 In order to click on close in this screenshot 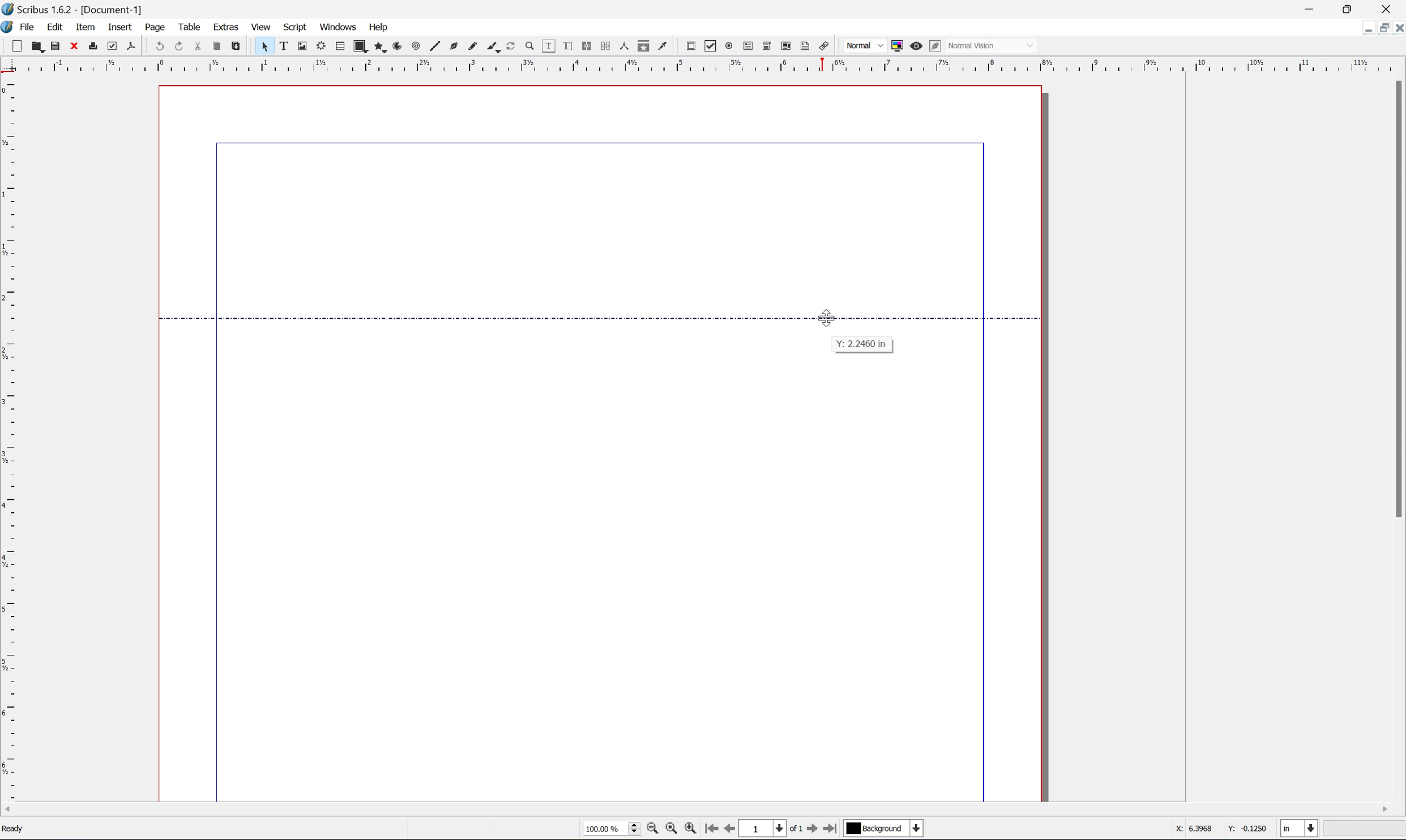, I will do `click(1390, 10)`.